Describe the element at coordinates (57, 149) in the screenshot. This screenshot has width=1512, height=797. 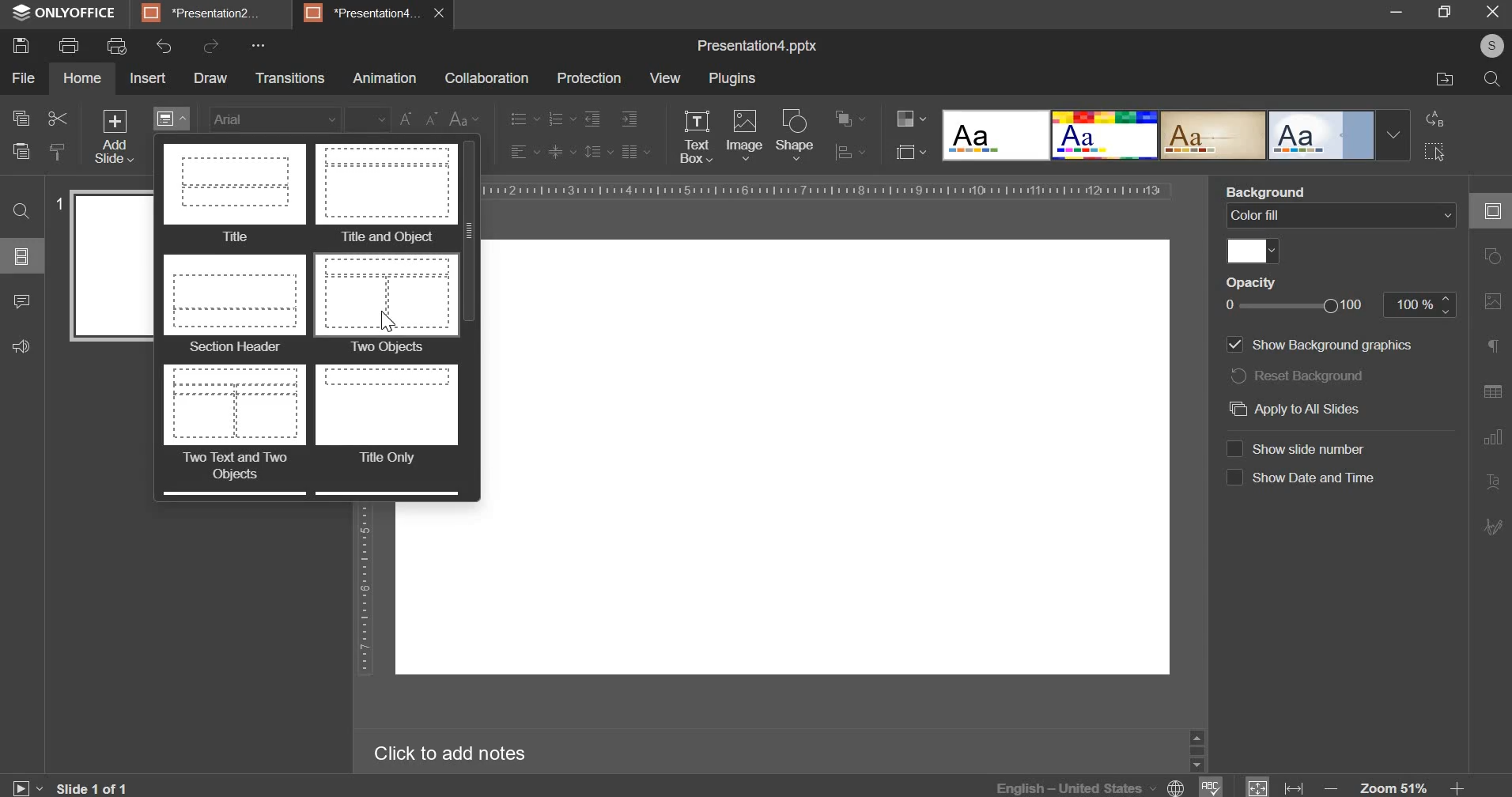
I see `copy style` at that location.